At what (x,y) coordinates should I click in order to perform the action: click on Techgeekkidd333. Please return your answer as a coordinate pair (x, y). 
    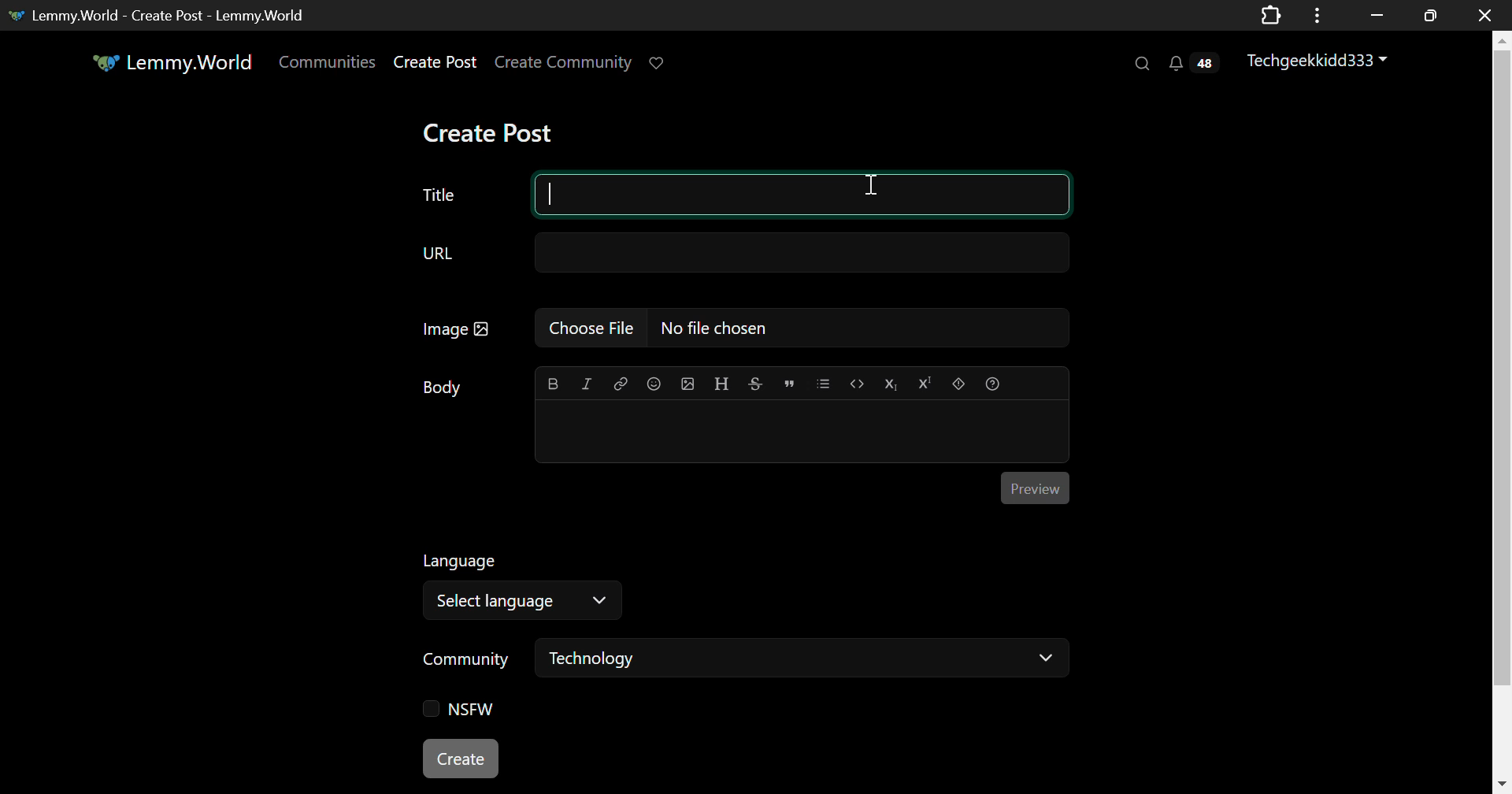
    Looking at the image, I should click on (1319, 61).